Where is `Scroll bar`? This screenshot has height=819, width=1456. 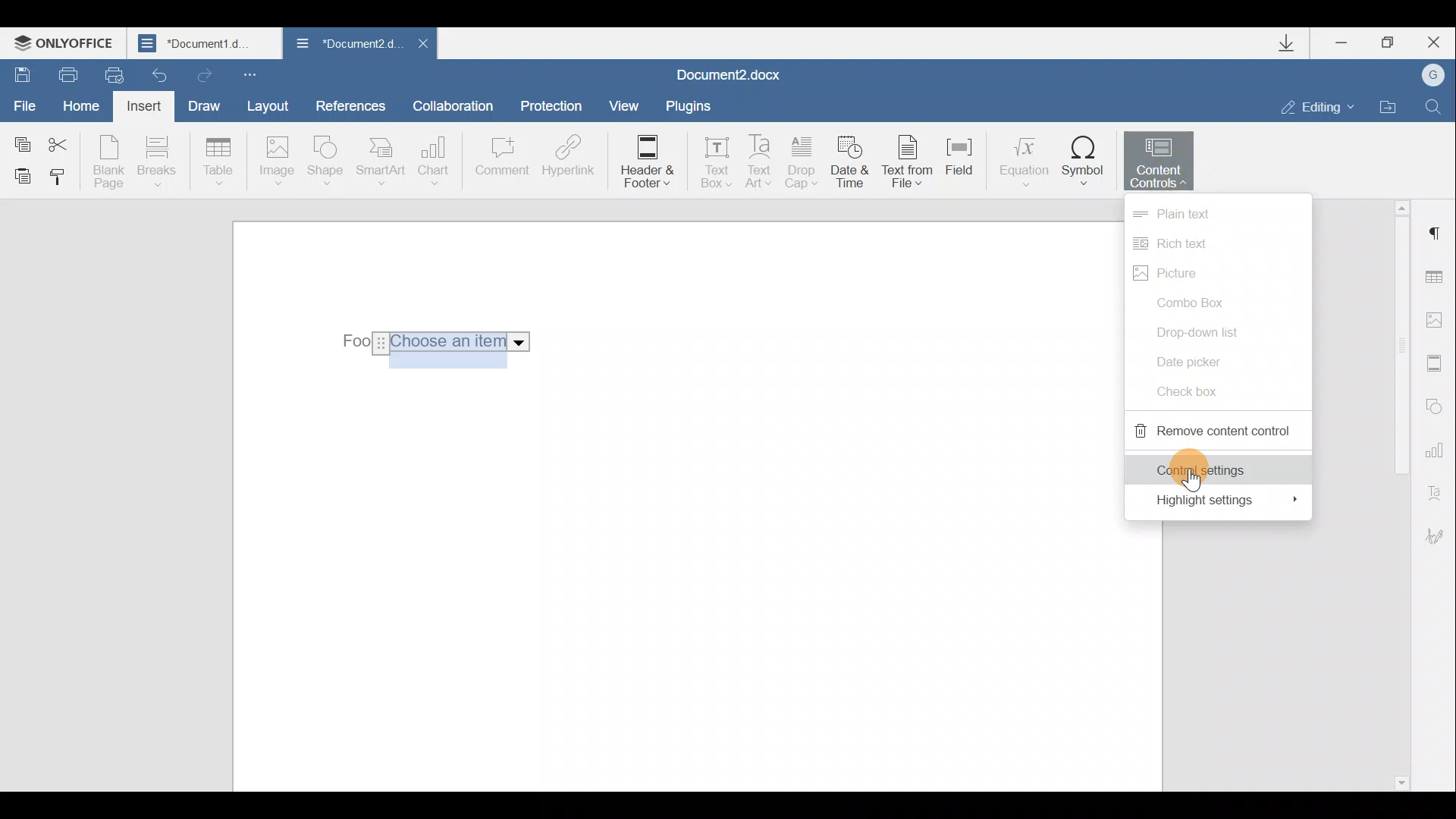
Scroll bar is located at coordinates (1397, 493).